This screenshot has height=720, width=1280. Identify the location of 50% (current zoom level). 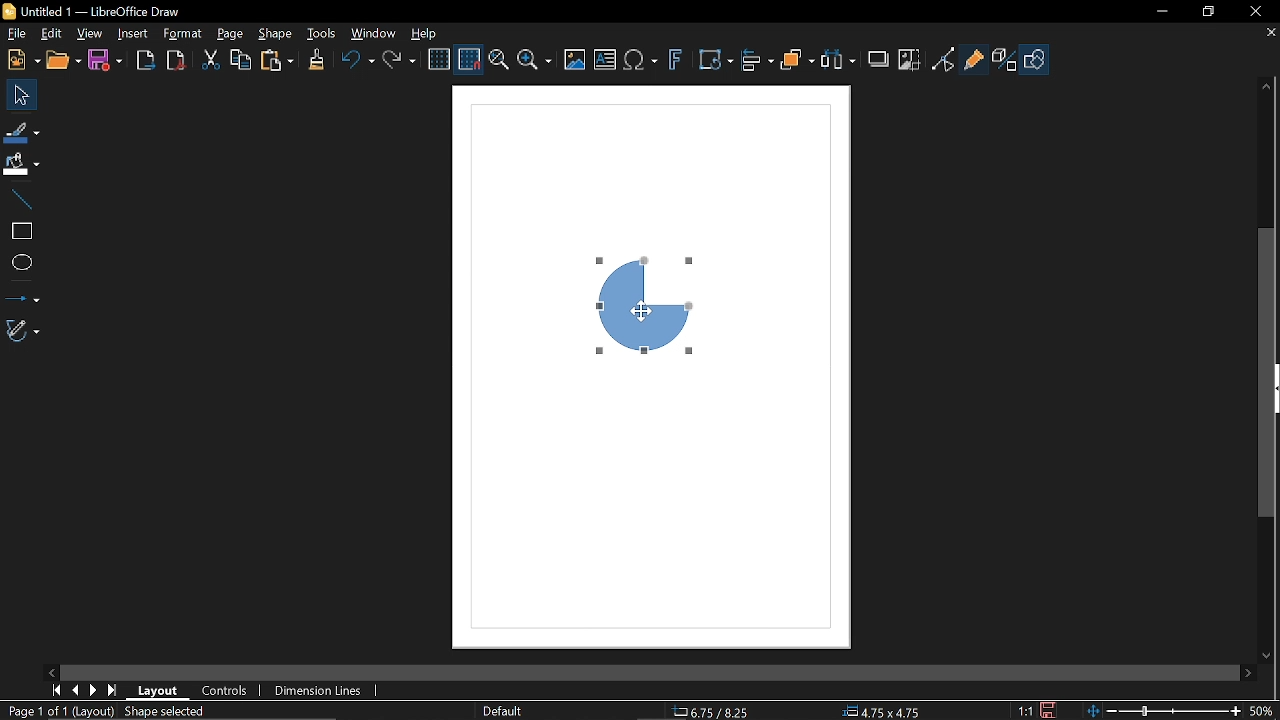
(1262, 709).